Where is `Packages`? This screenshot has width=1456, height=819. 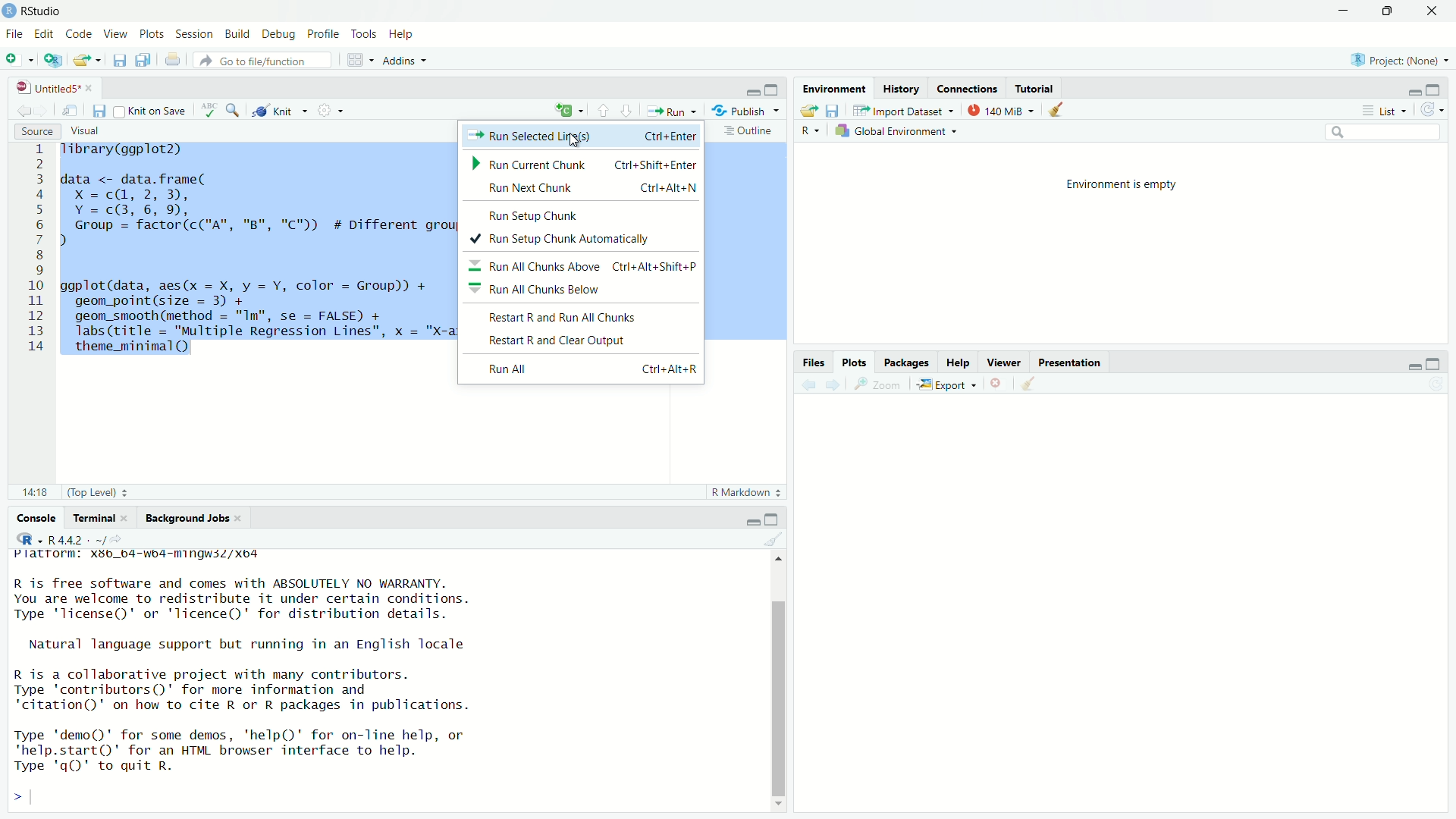
Packages is located at coordinates (908, 362).